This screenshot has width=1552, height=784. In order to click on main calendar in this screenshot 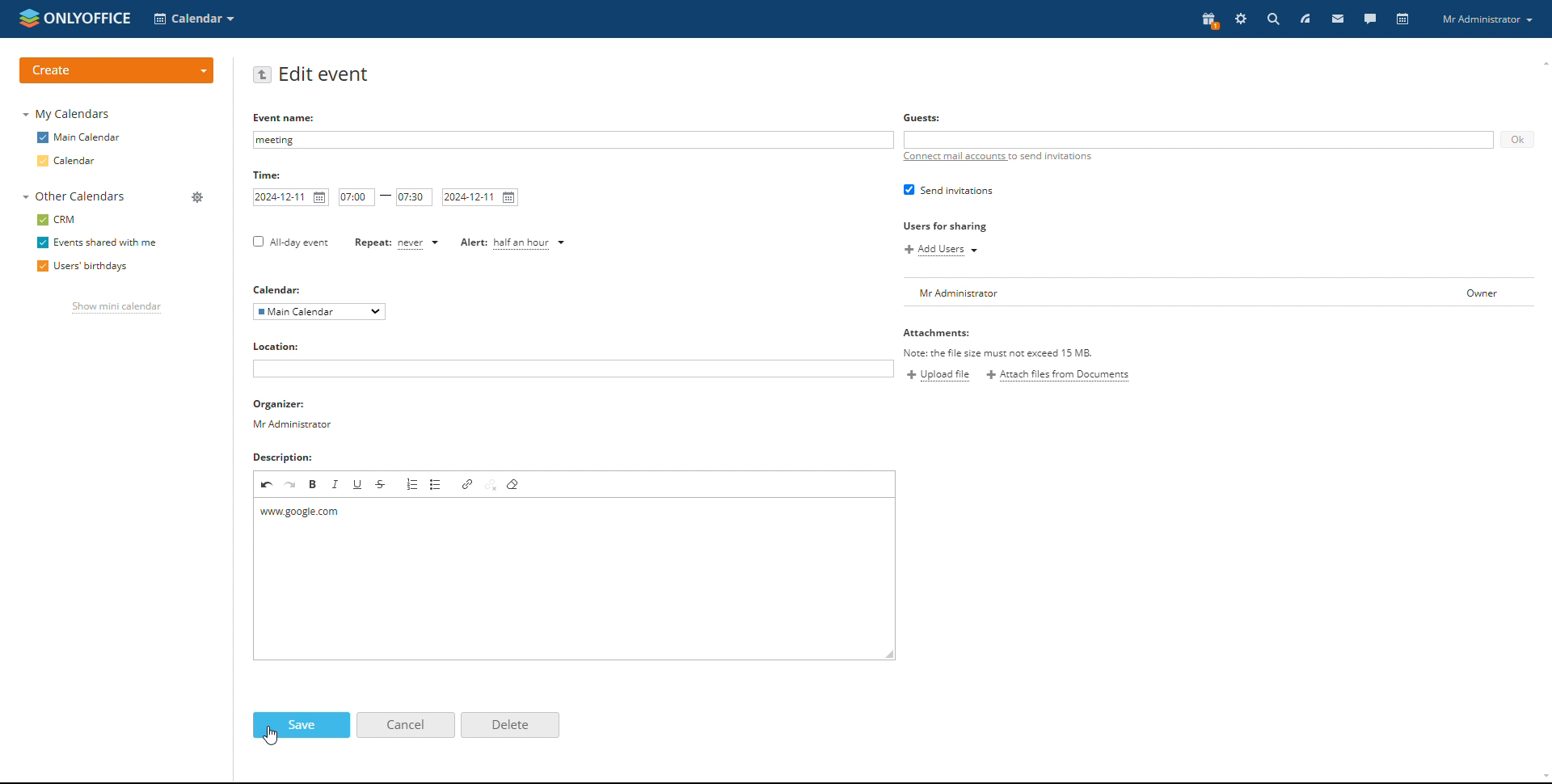, I will do `click(79, 137)`.